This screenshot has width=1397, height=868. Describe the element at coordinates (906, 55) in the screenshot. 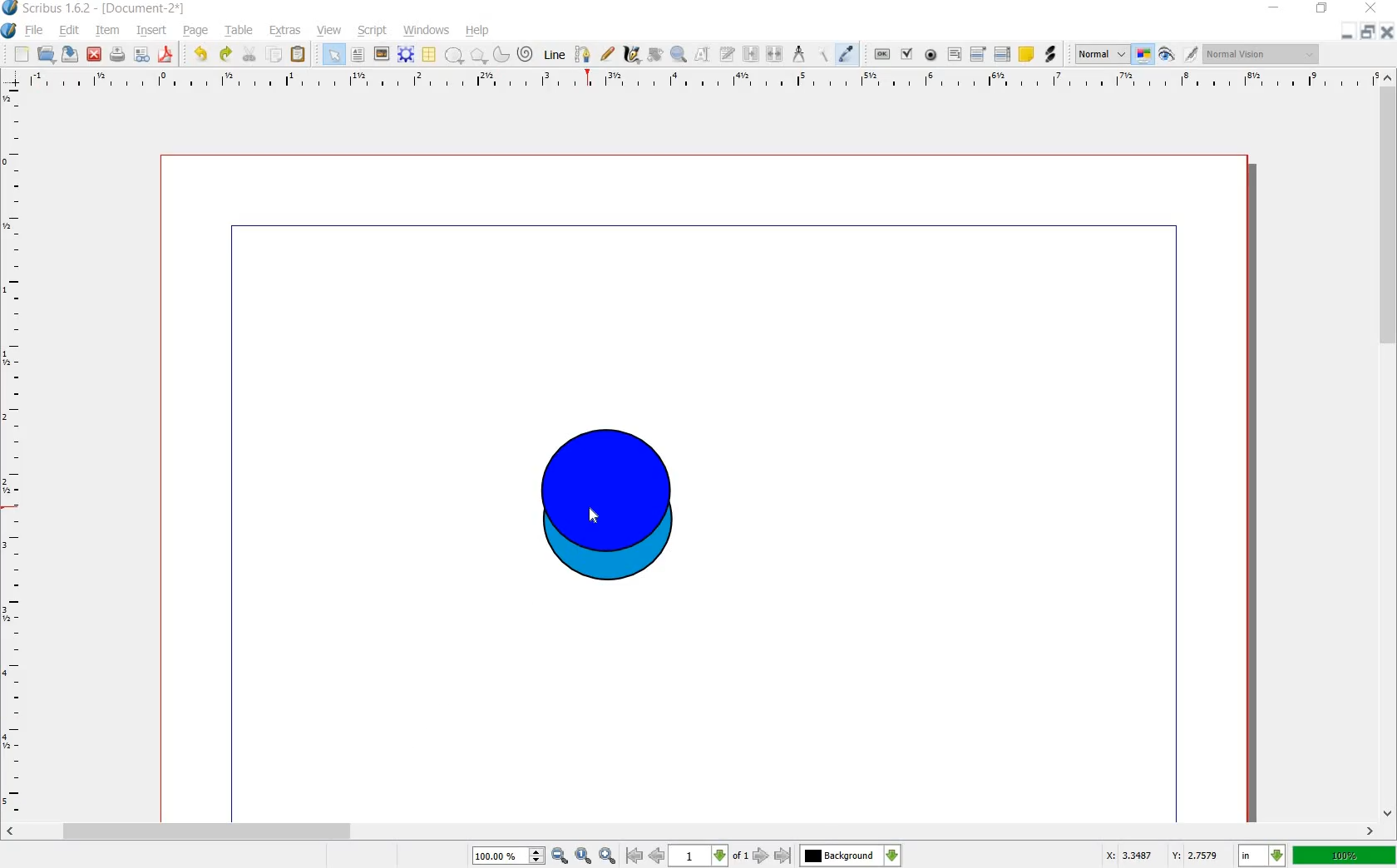

I see `pdf check box` at that location.